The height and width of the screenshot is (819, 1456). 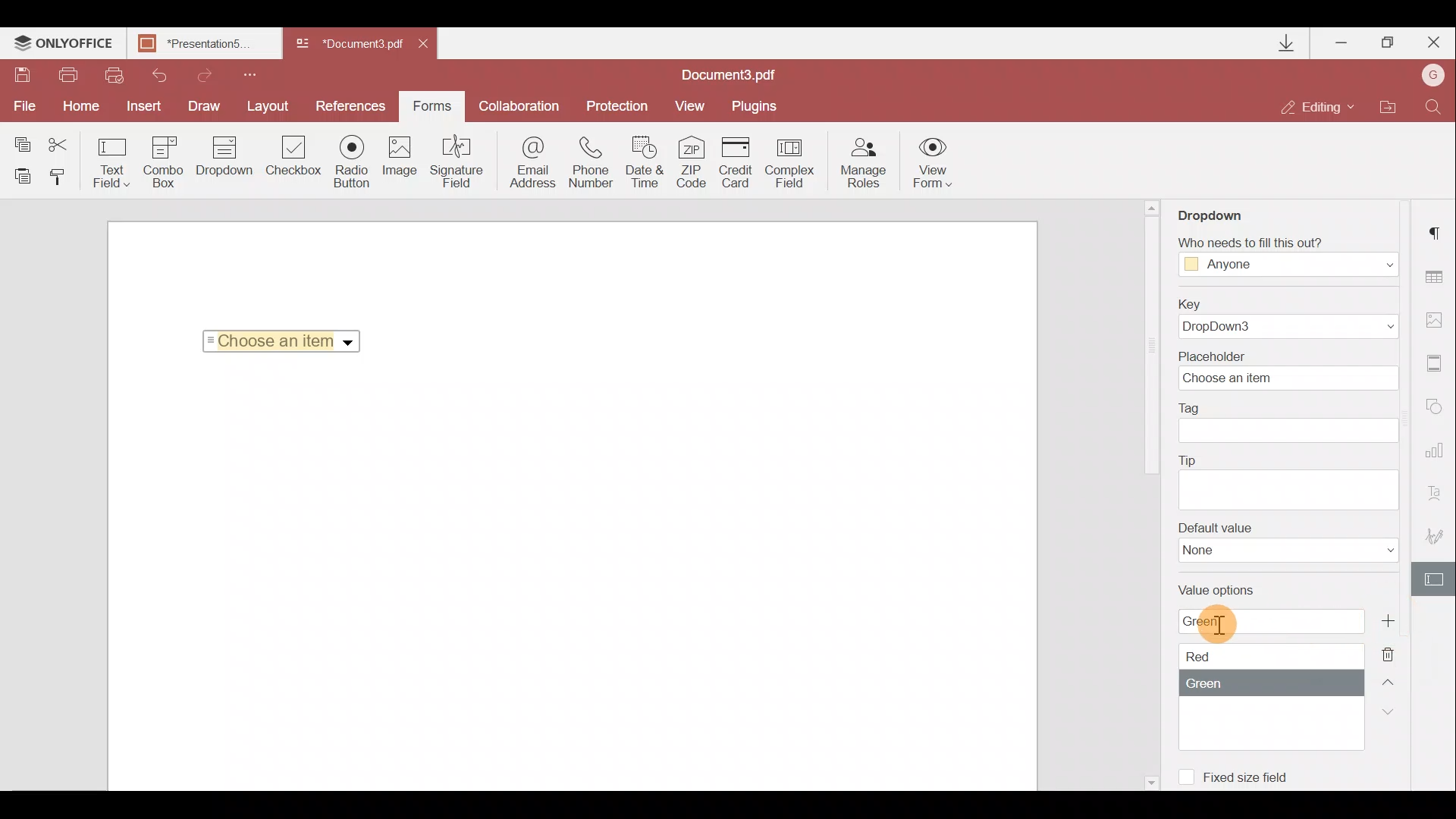 What do you see at coordinates (432, 106) in the screenshot?
I see `Forms` at bounding box center [432, 106].